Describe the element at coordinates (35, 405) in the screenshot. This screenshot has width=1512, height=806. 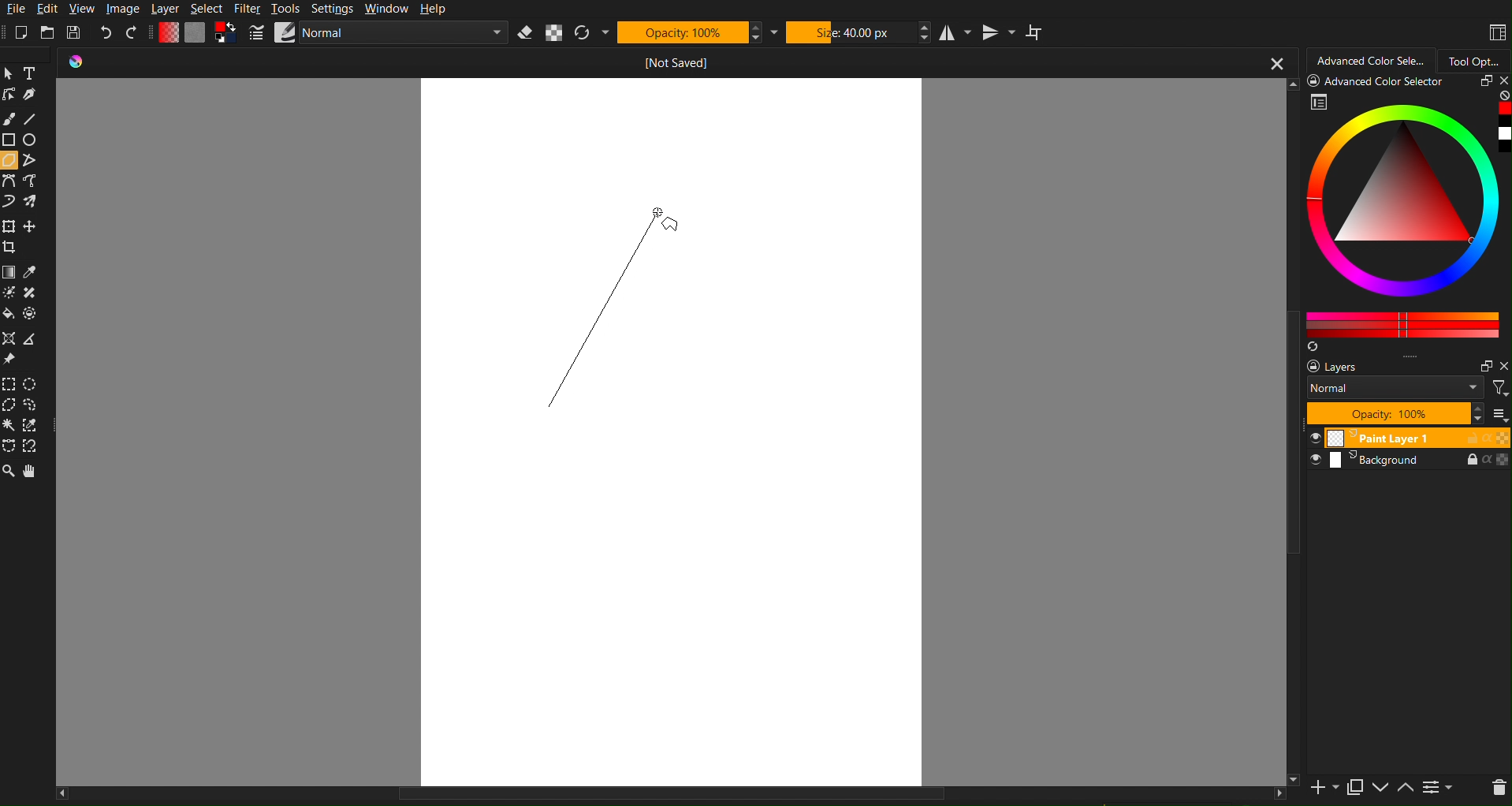
I see `freehand Selection Tools` at that location.